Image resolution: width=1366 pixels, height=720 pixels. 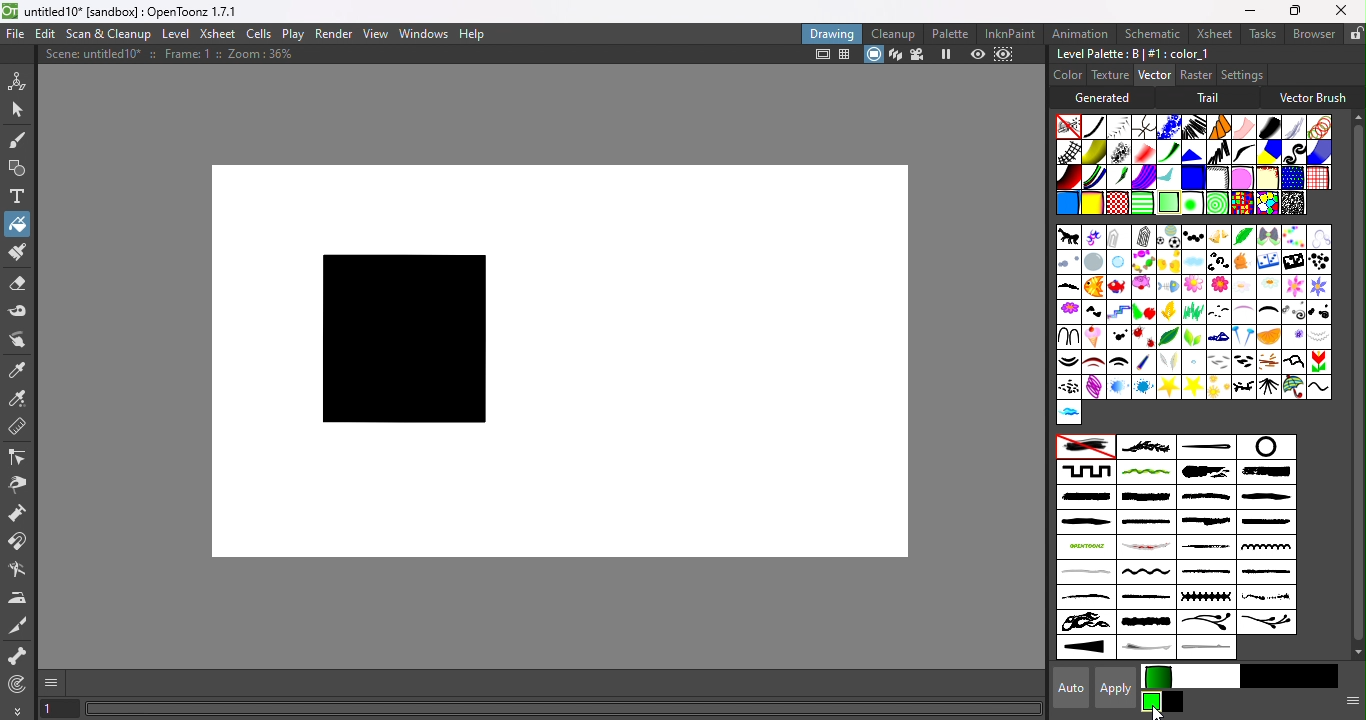 I want to click on stai, so click(x=1144, y=387).